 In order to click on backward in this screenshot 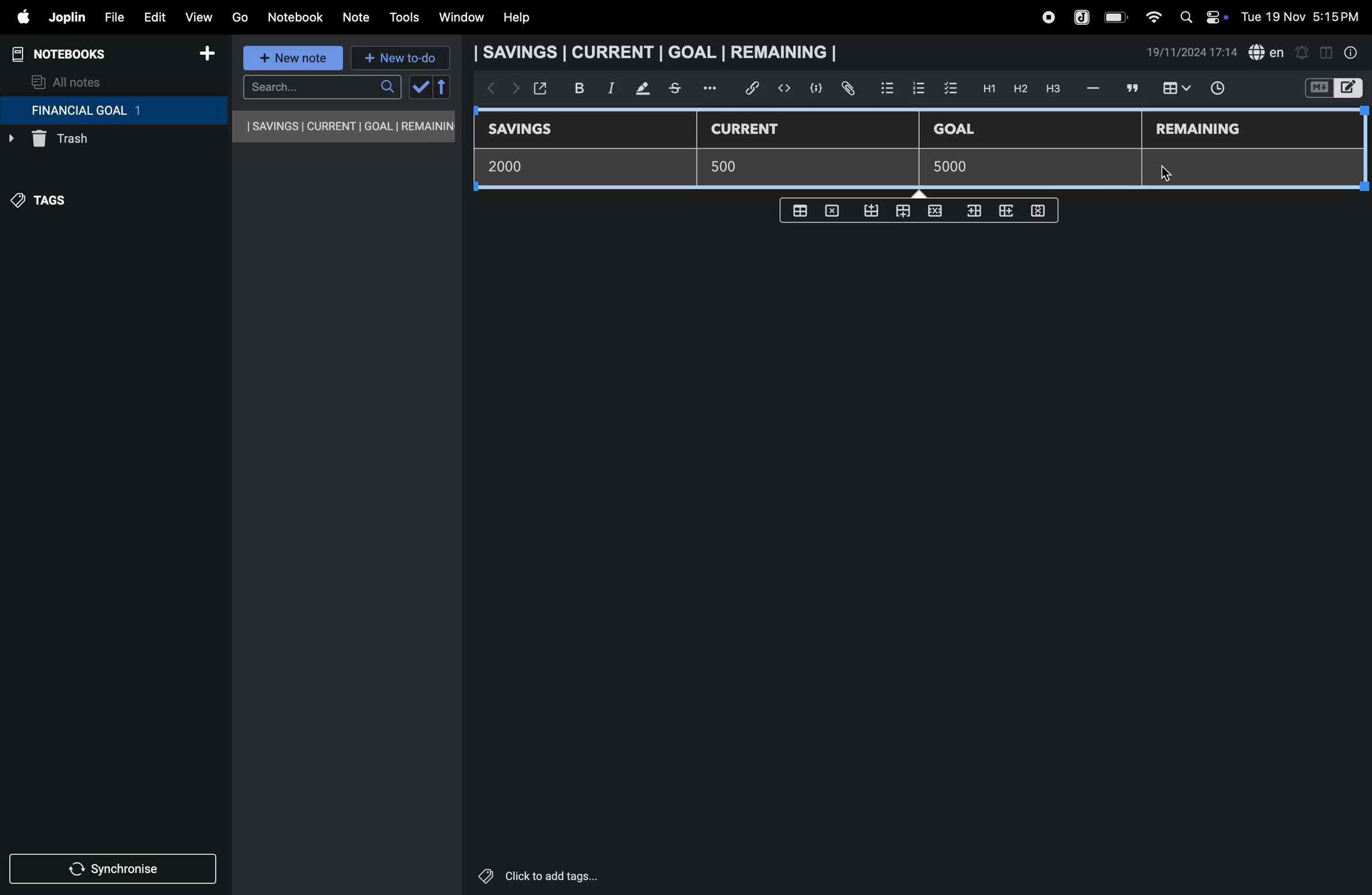, I will do `click(487, 89)`.